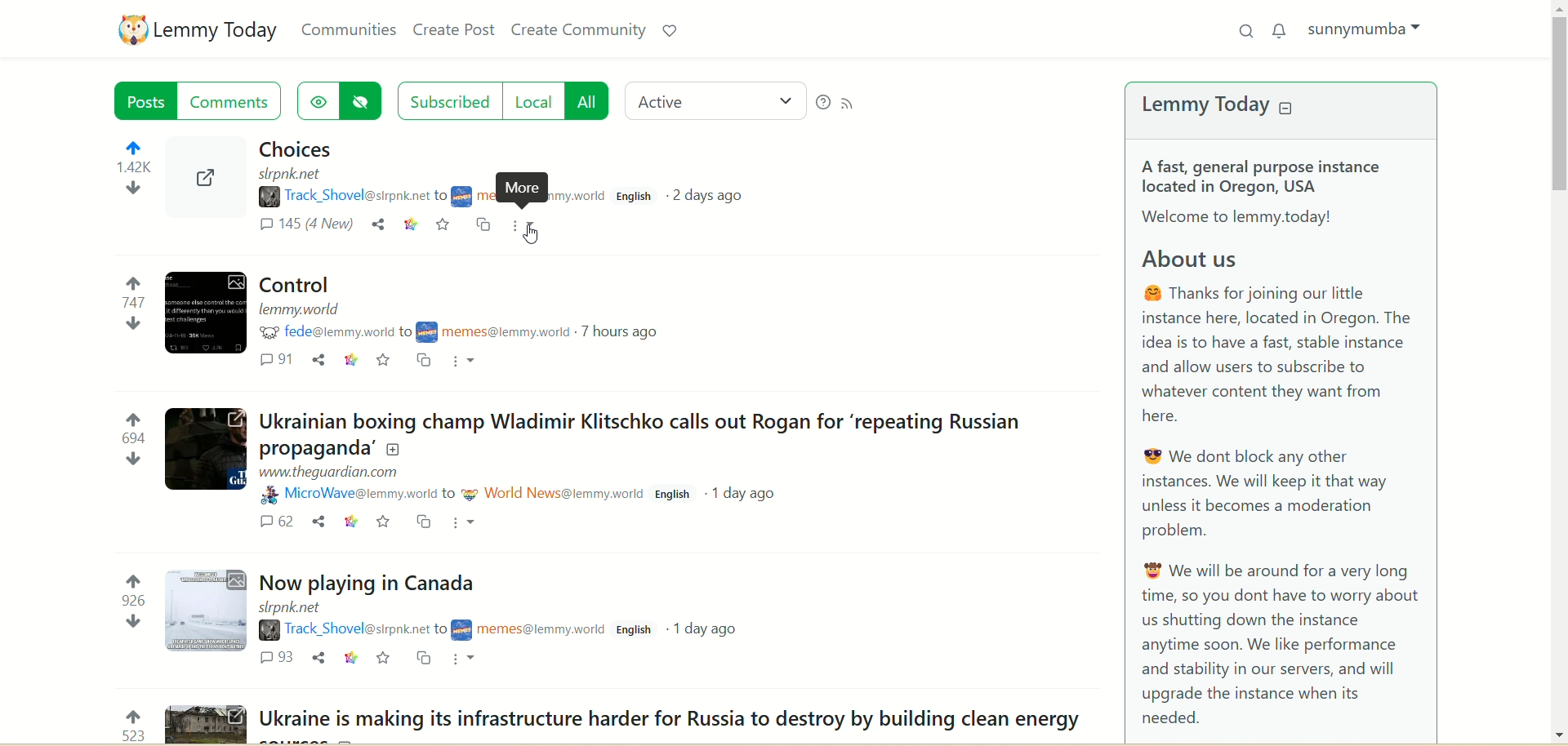 The width and height of the screenshot is (1568, 746). What do you see at coordinates (750, 495) in the screenshot?
I see `1 day ago(post date)` at bounding box center [750, 495].